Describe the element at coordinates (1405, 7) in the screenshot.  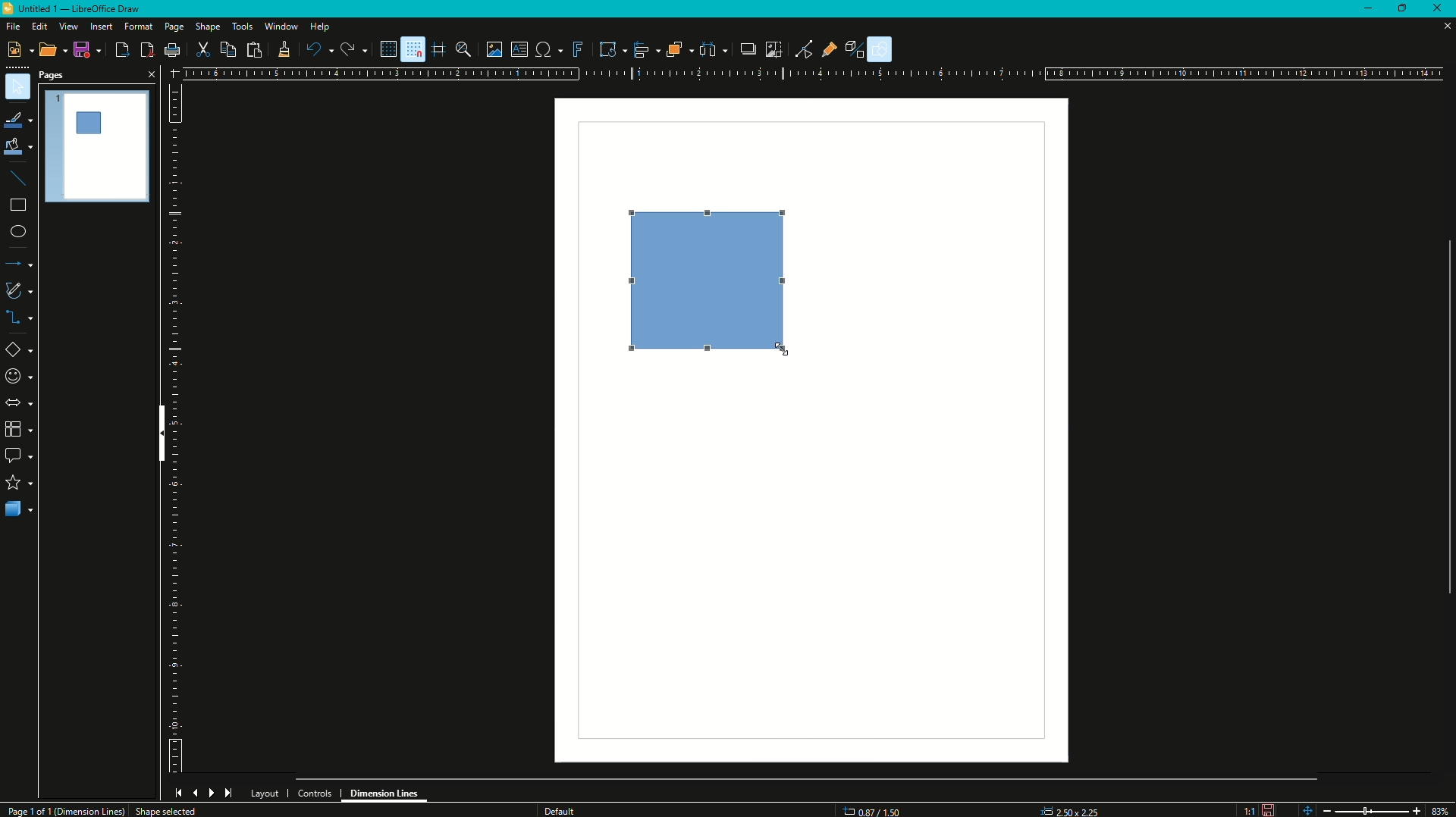
I see `Restore` at that location.